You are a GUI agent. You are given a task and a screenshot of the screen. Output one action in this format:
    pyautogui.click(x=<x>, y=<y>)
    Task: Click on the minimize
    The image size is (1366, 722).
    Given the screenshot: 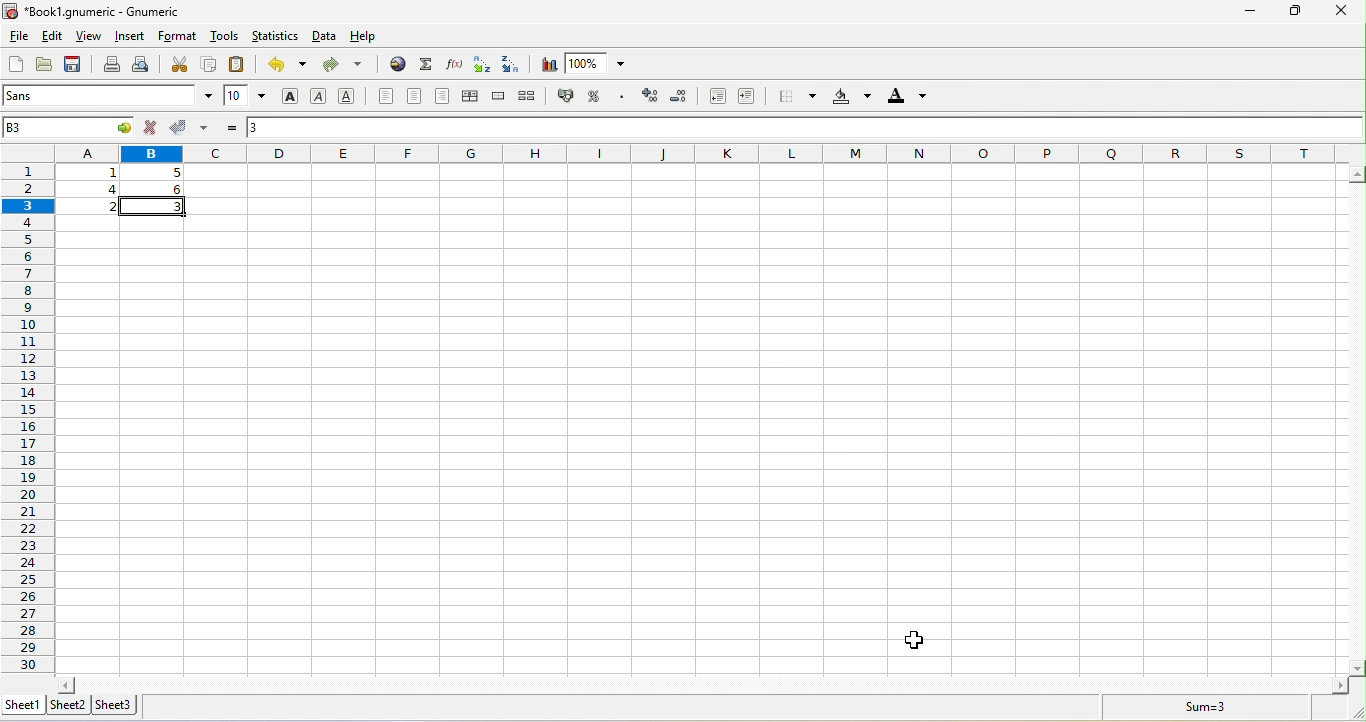 What is the action you would take?
    pyautogui.click(x=1251, y=12)
    